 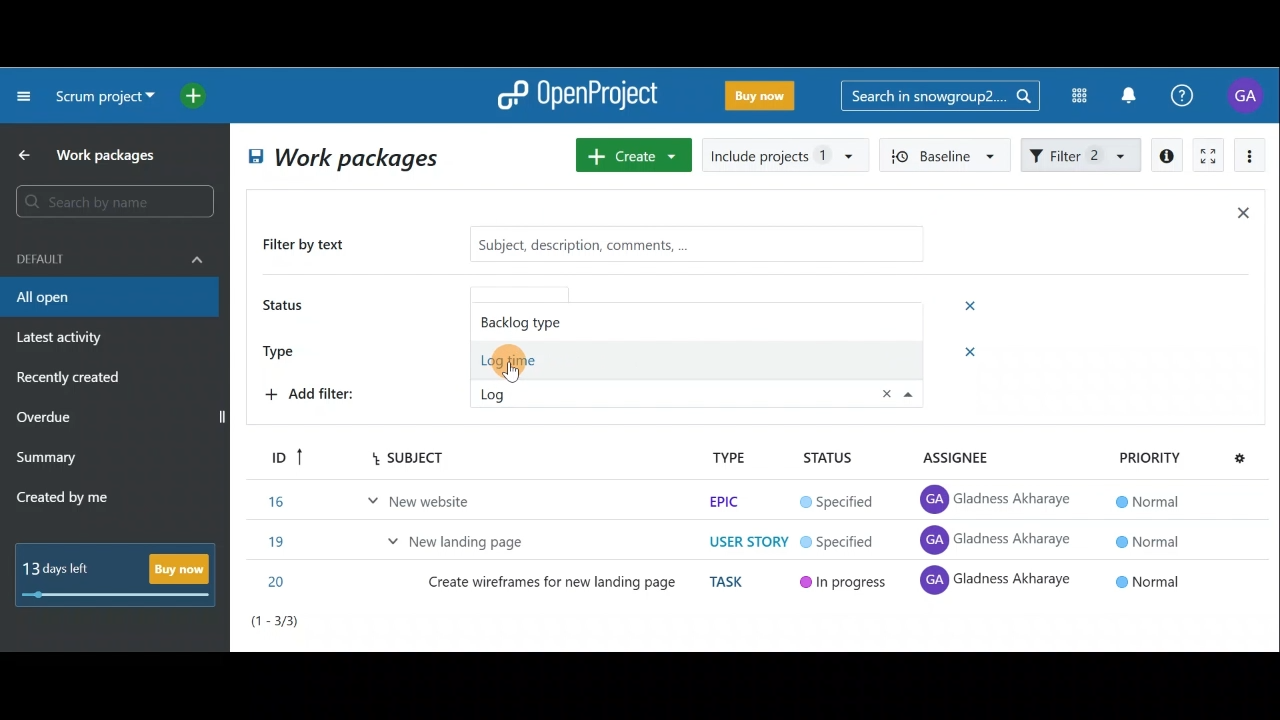 I want to click on page TASK a(GA) Gladness Akharaye, so click(x=998, y=540).